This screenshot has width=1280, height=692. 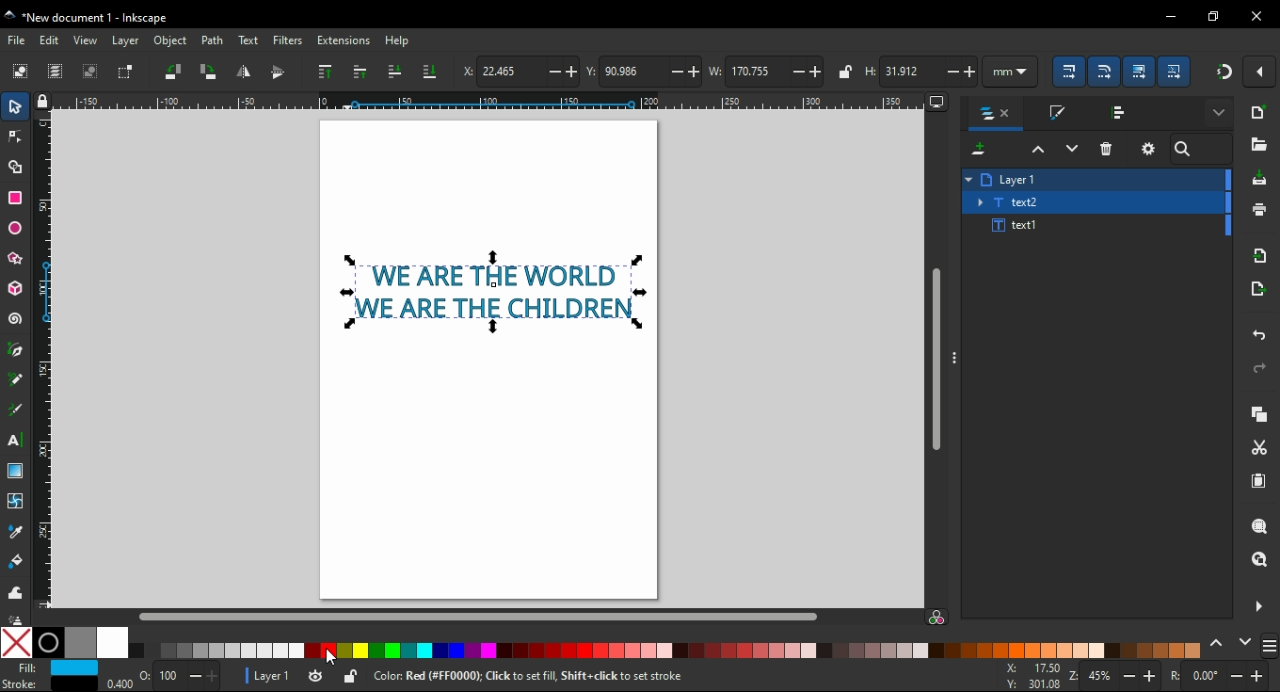 What do you see at coordinates (518, 69) in the screenshot?
I see `horizontal coordinates of selected object` at bounding box center [518, 69].